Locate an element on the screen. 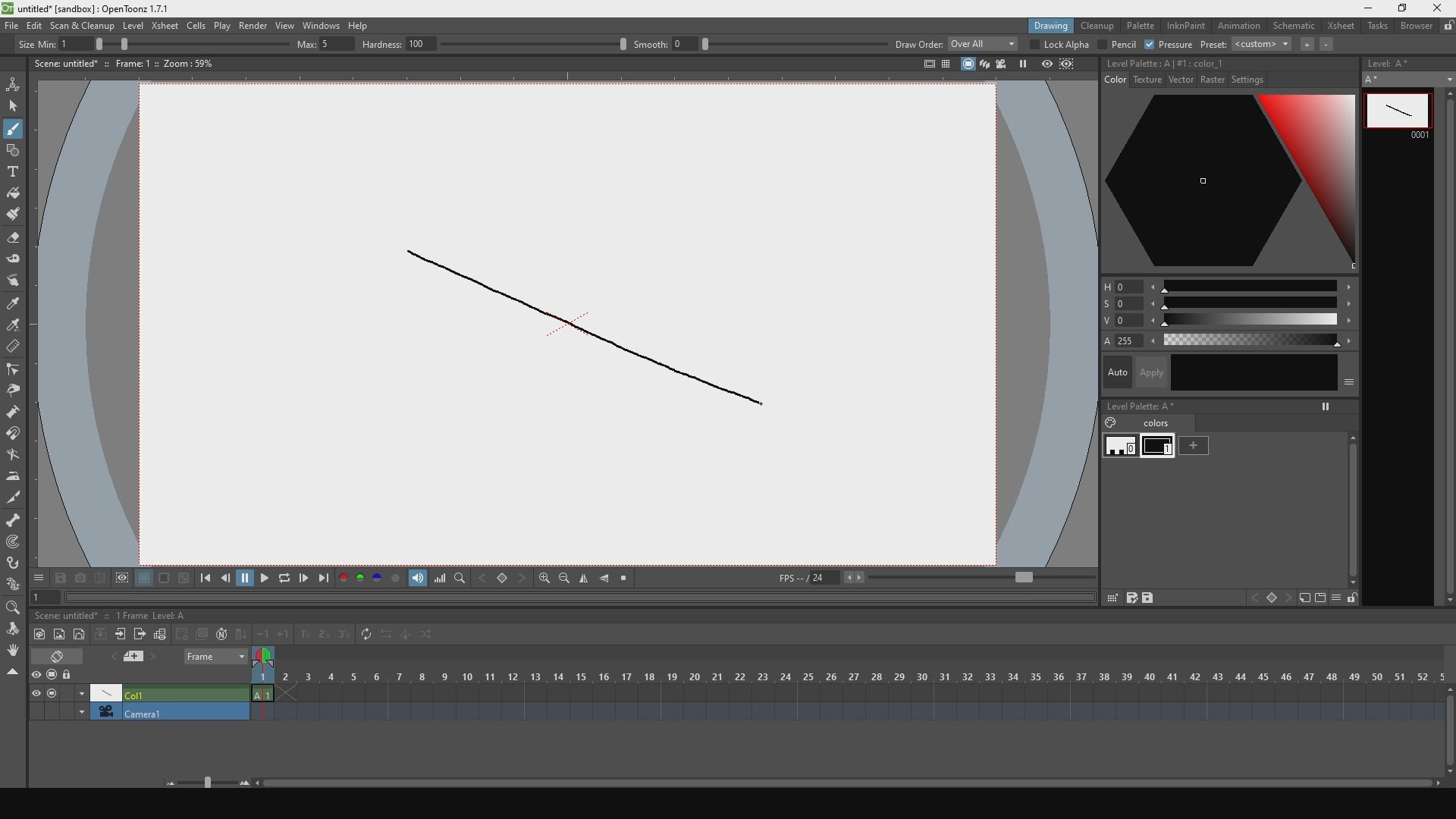 The image size is (1456, 819). inflate is located at coordinates (14, 411).